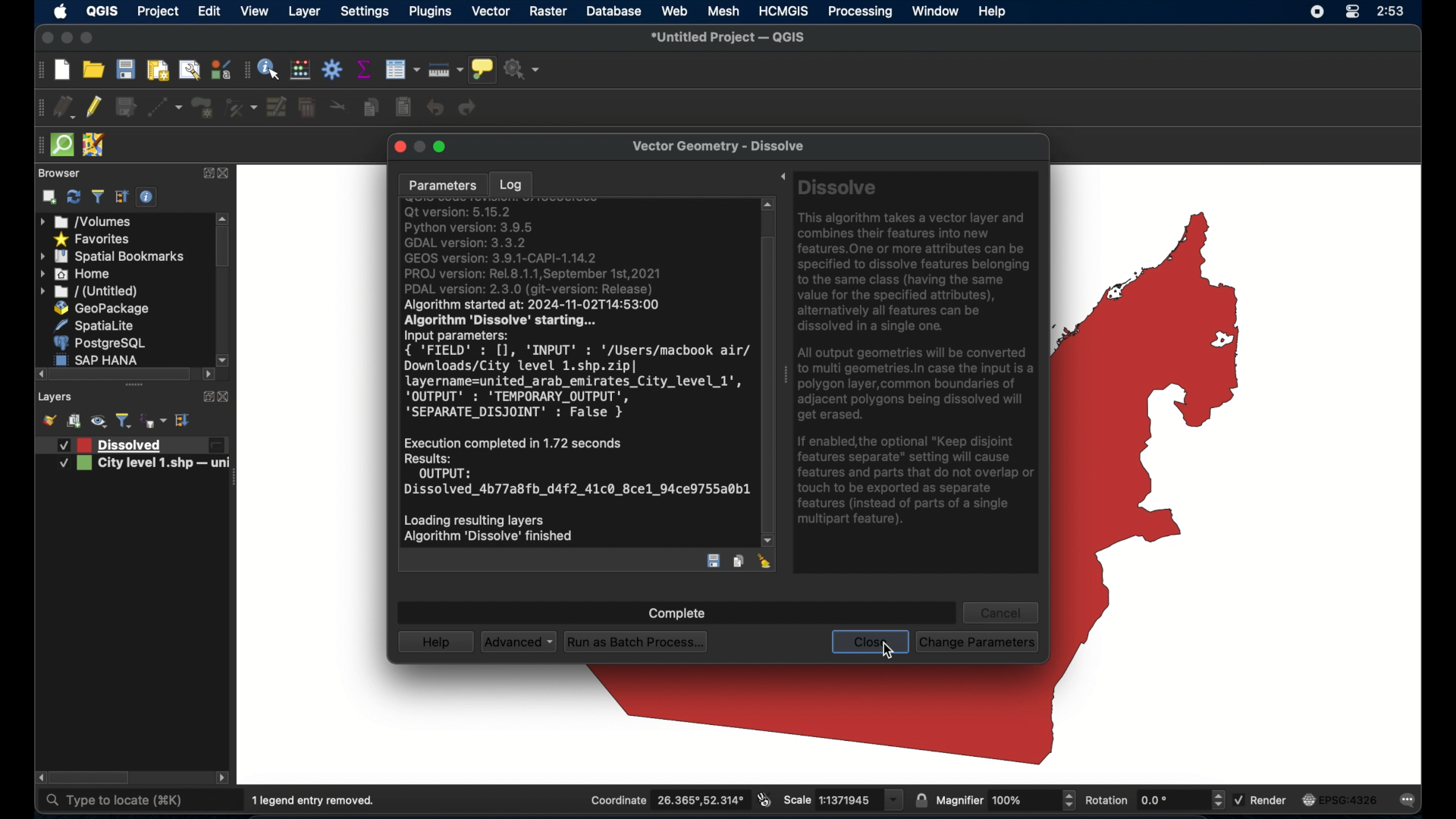 The height and width of the screenshot is (819, 1456). I want to click on web, so click(674, 11).